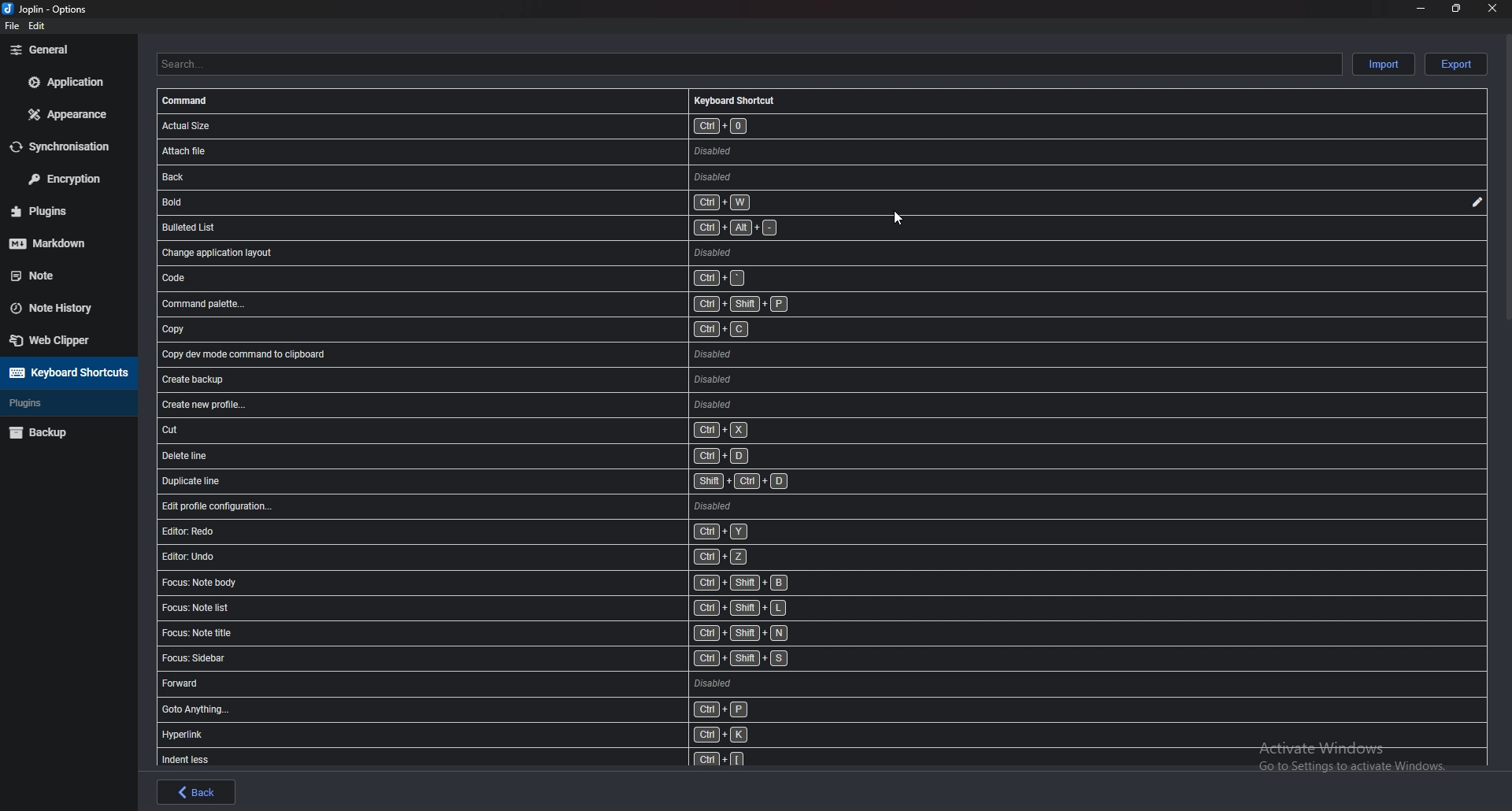 This screenshot has height=811, width=1512. I want to click on shortcut, so click(480, 279).